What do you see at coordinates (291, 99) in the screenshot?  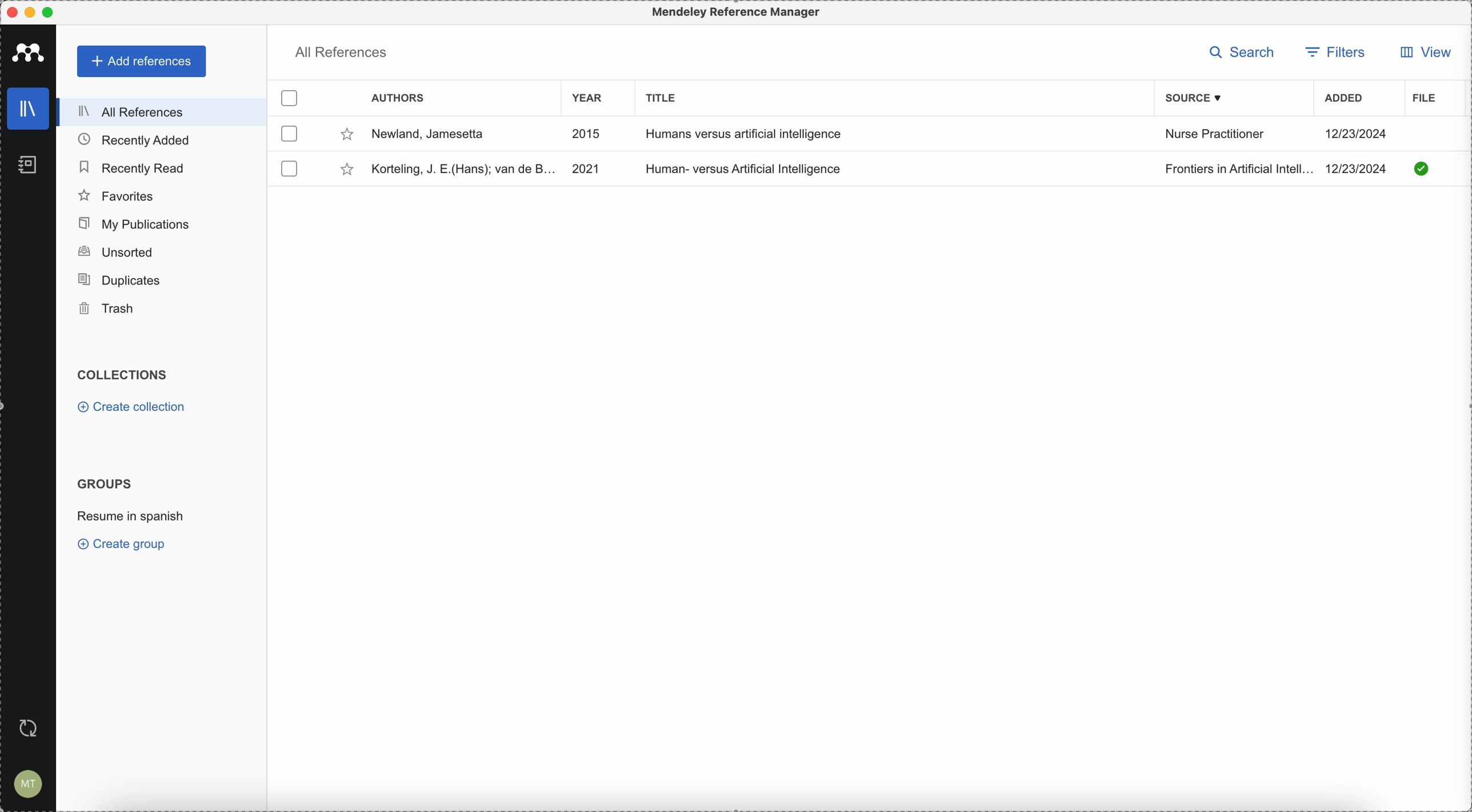 I see `check box` at bounding box center [291, 99].